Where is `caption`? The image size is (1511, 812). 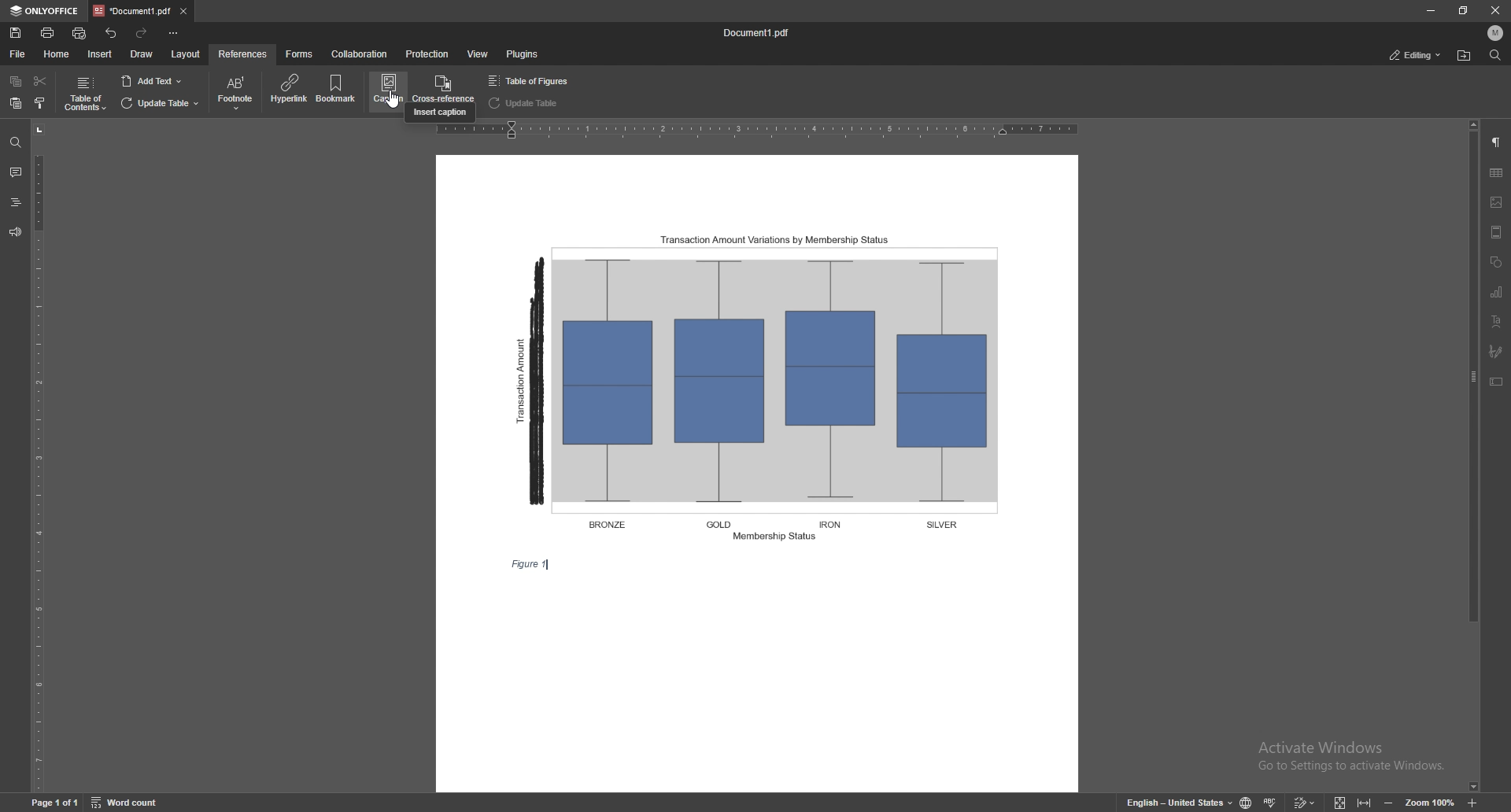 caption is located at coordinates (387, 90).